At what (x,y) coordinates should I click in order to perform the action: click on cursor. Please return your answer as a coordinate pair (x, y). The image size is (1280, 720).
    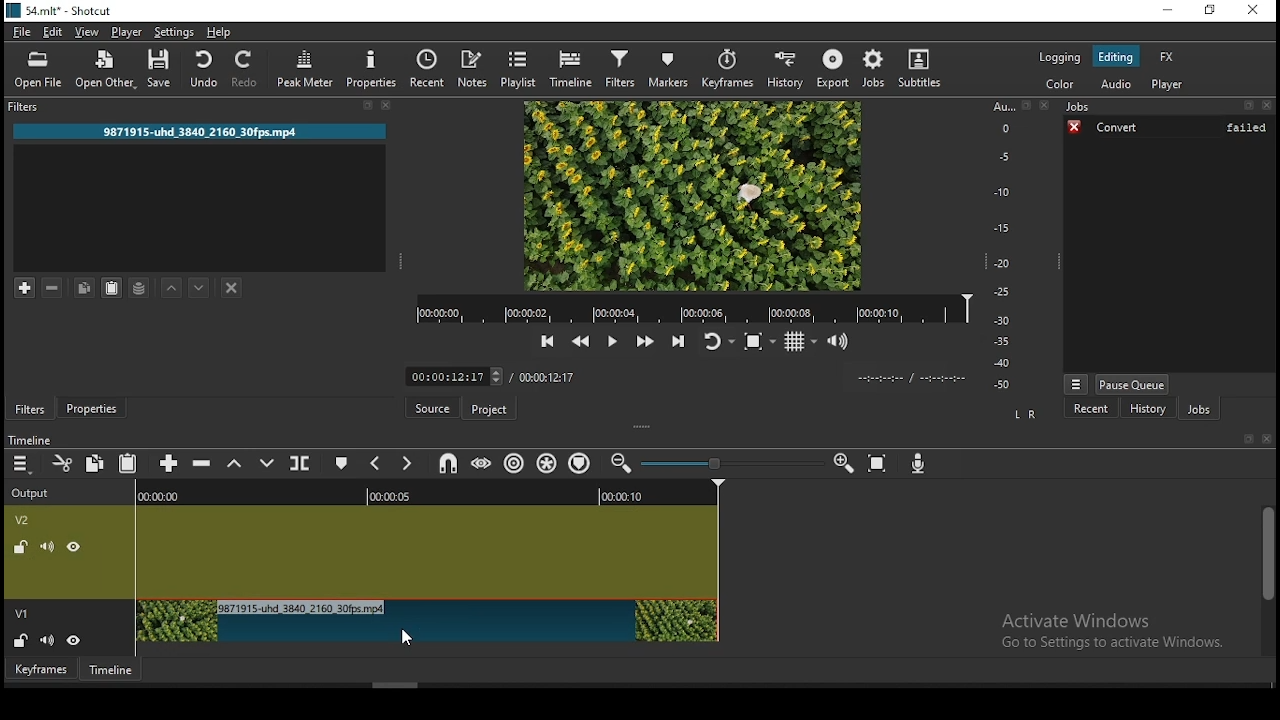
    Looking at the image, I should click on (409, 631).